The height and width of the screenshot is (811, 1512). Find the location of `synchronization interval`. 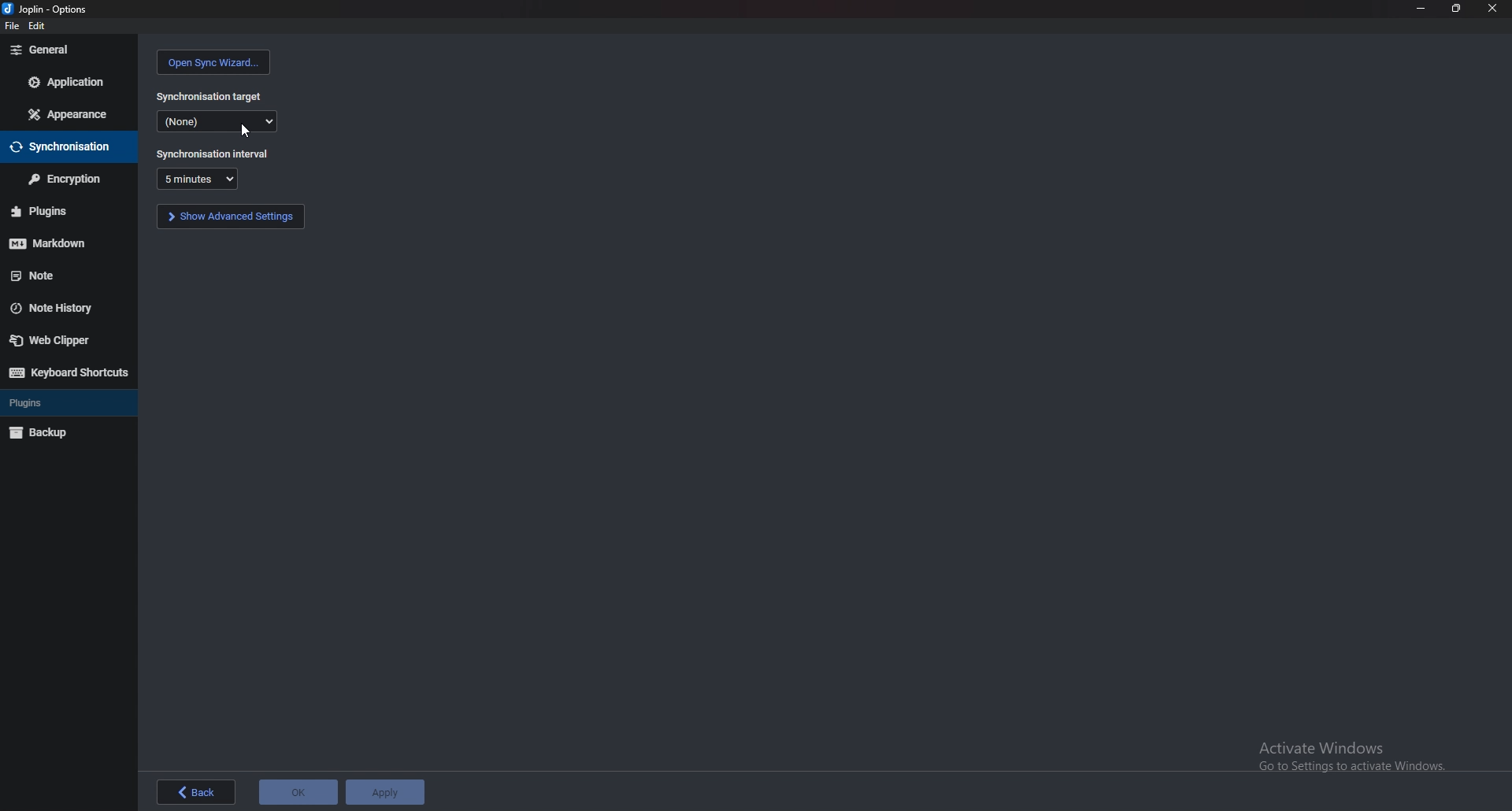

synchronization interval is located at coordinates (212, 153).